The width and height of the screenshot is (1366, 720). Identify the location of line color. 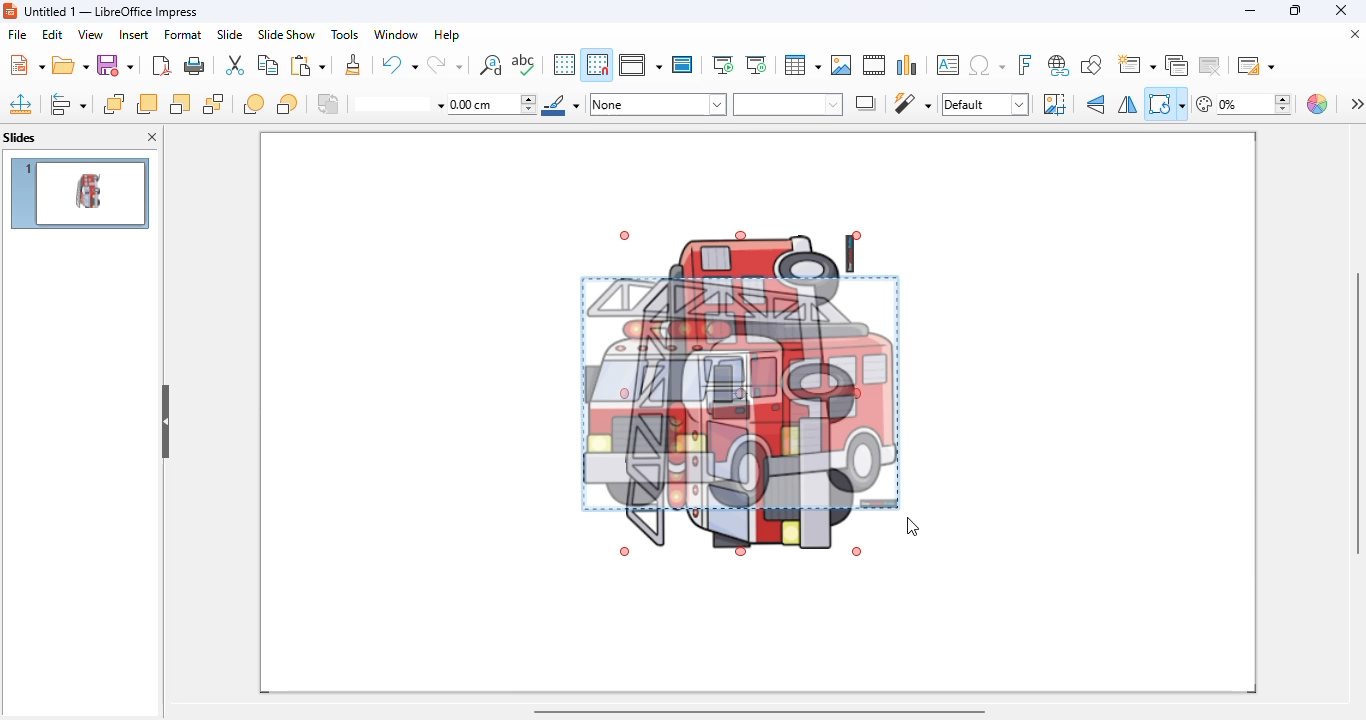
(561, 104).